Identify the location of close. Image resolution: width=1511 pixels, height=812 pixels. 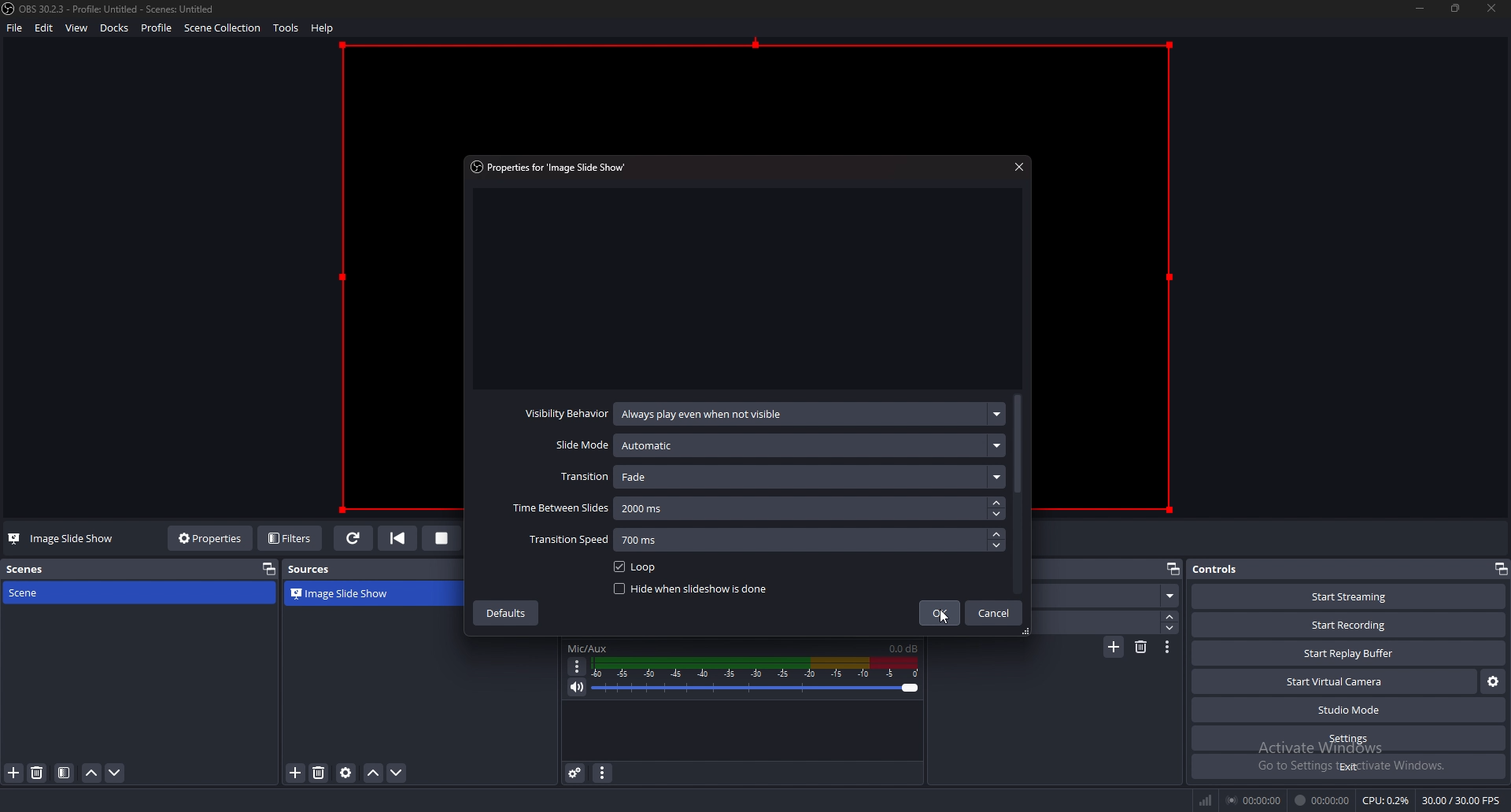
(1492, 13).